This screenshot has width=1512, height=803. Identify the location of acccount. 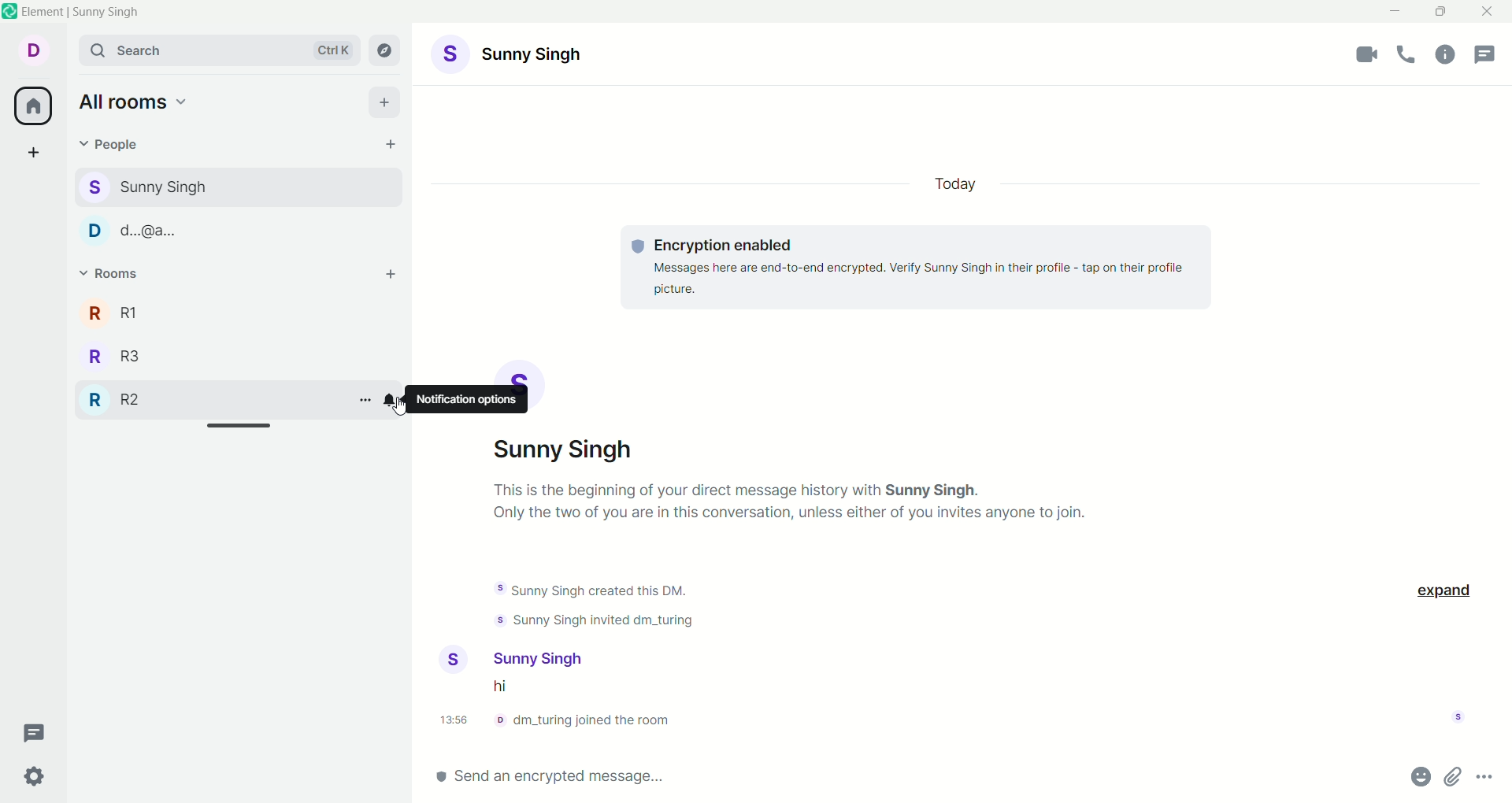
(546, 57).